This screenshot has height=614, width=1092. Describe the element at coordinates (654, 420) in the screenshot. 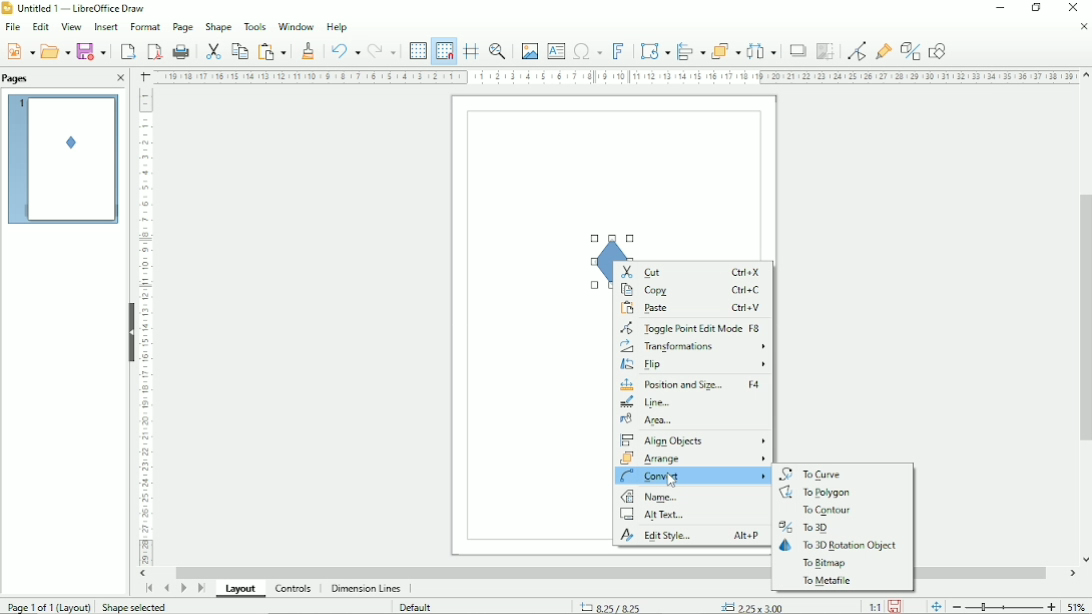

I see `Area` at that location.